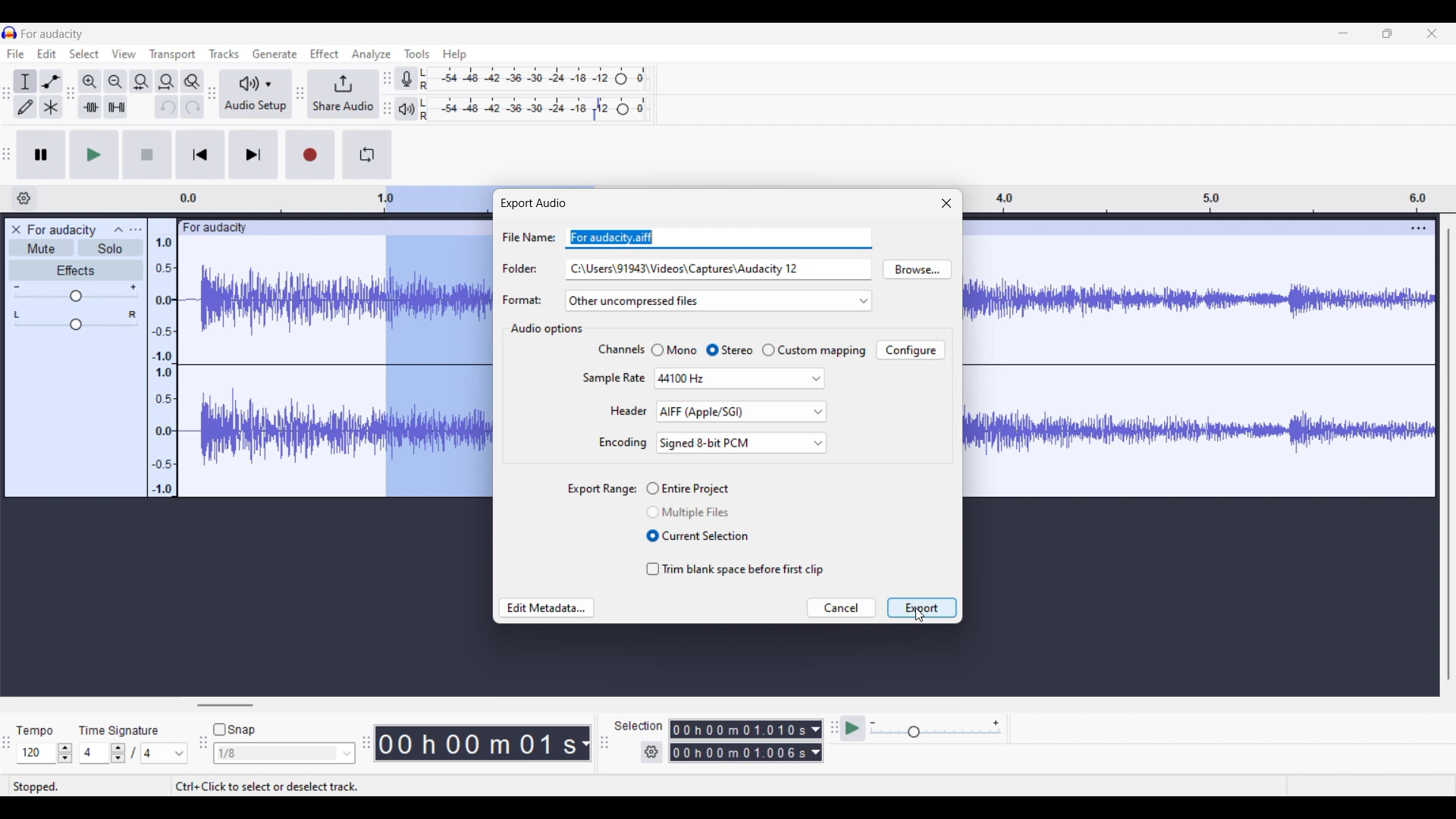  What do you see at coordinates (743, 412) in the screenshot?
I see `AIFF (Apple/SGI) ~` at bounding box center [743, 412].